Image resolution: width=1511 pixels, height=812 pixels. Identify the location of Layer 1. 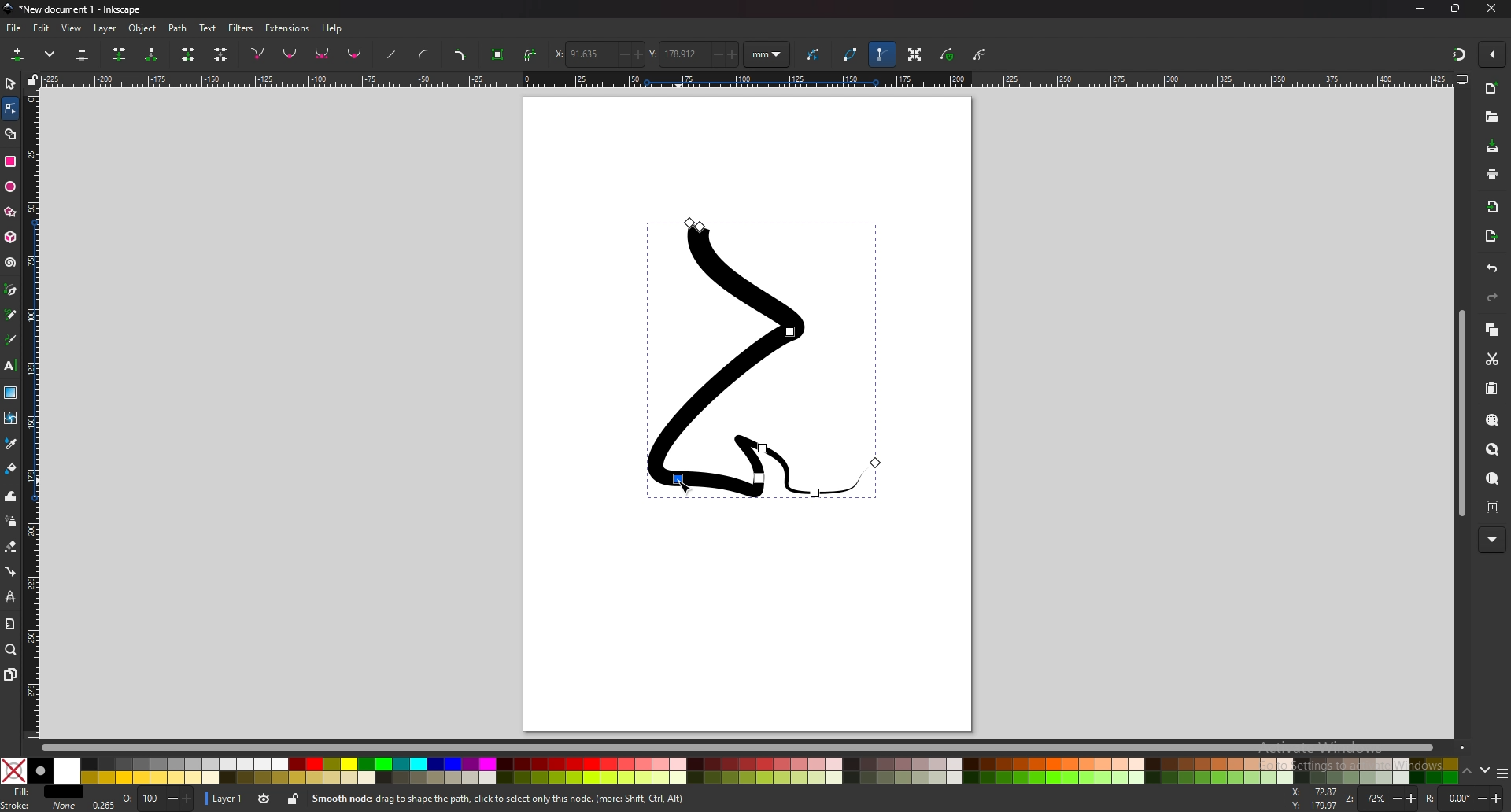
(238, 800).